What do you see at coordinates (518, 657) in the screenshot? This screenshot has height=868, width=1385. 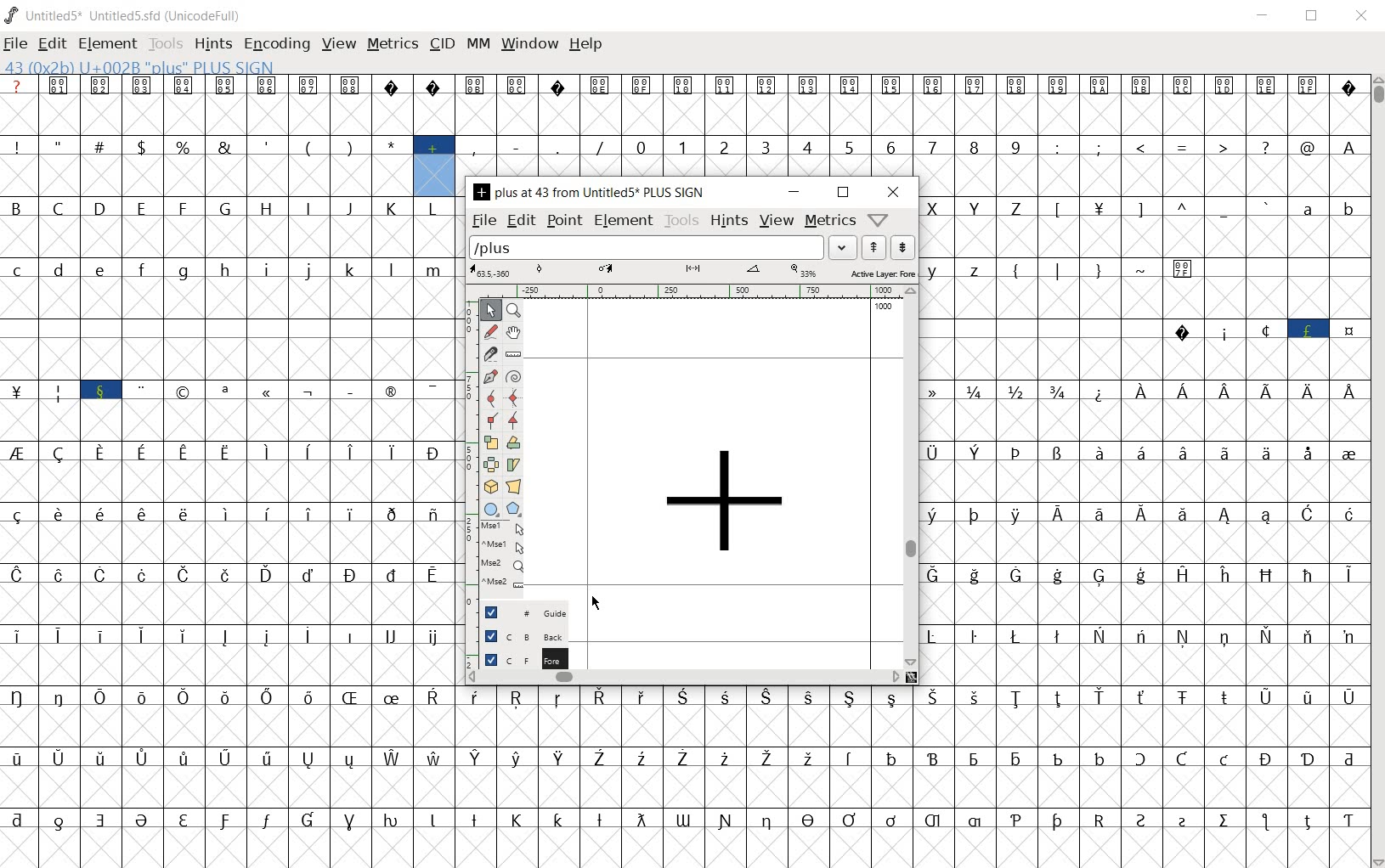 I see `foreground` at bounding box center [518, 657].